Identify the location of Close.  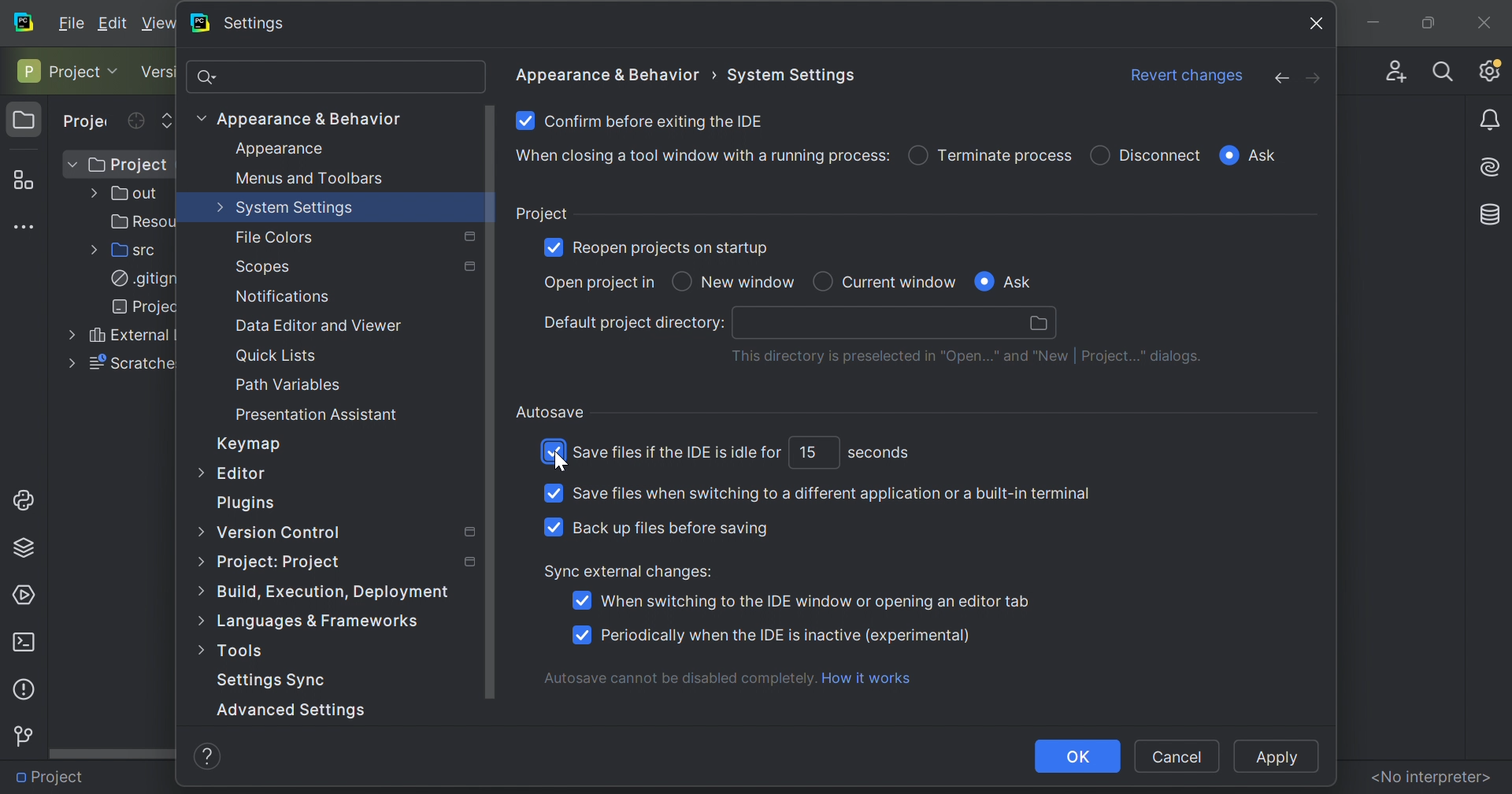
(1484, 19).